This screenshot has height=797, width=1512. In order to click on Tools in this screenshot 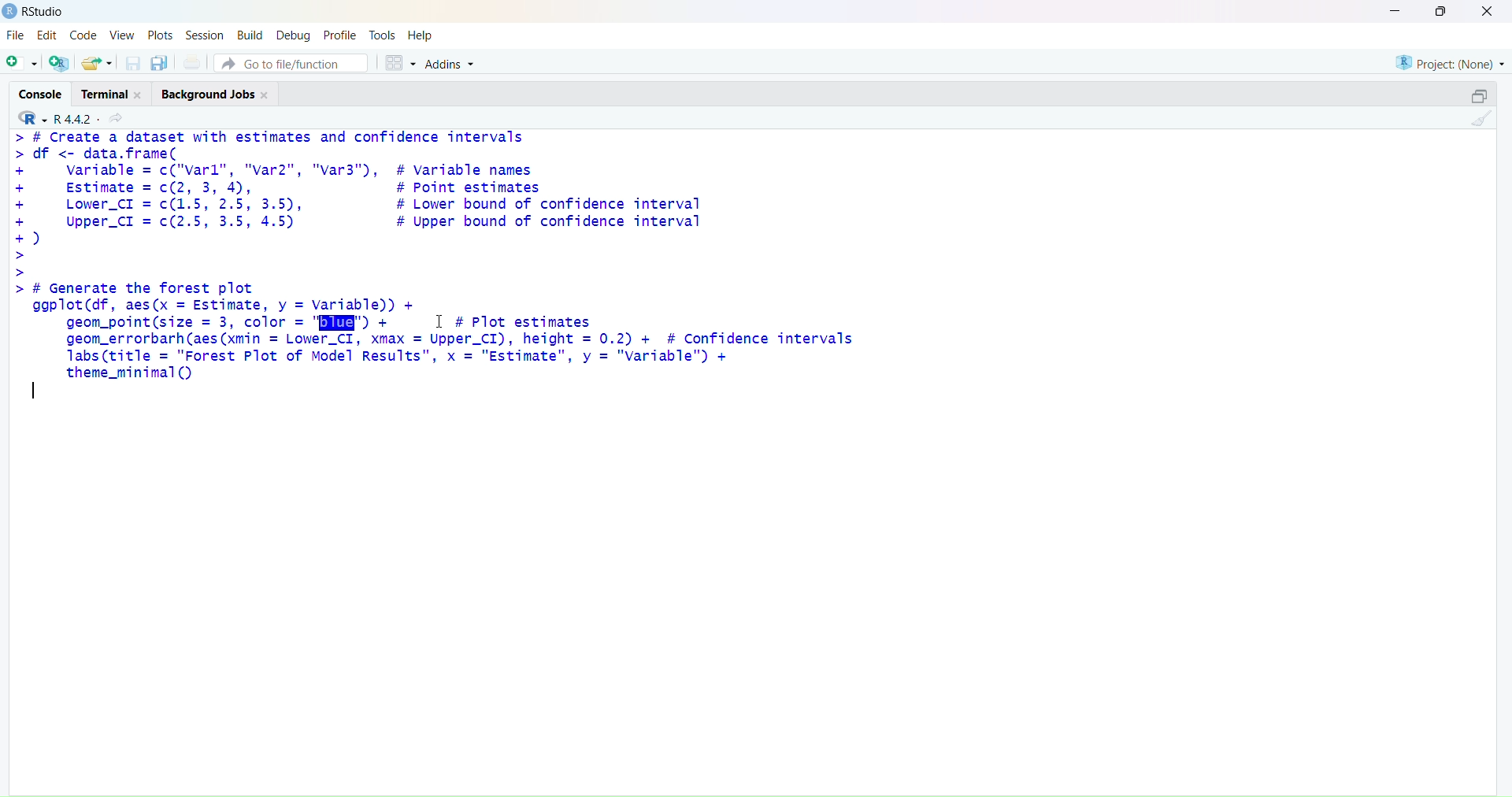, I will do `click(384, 35)`.